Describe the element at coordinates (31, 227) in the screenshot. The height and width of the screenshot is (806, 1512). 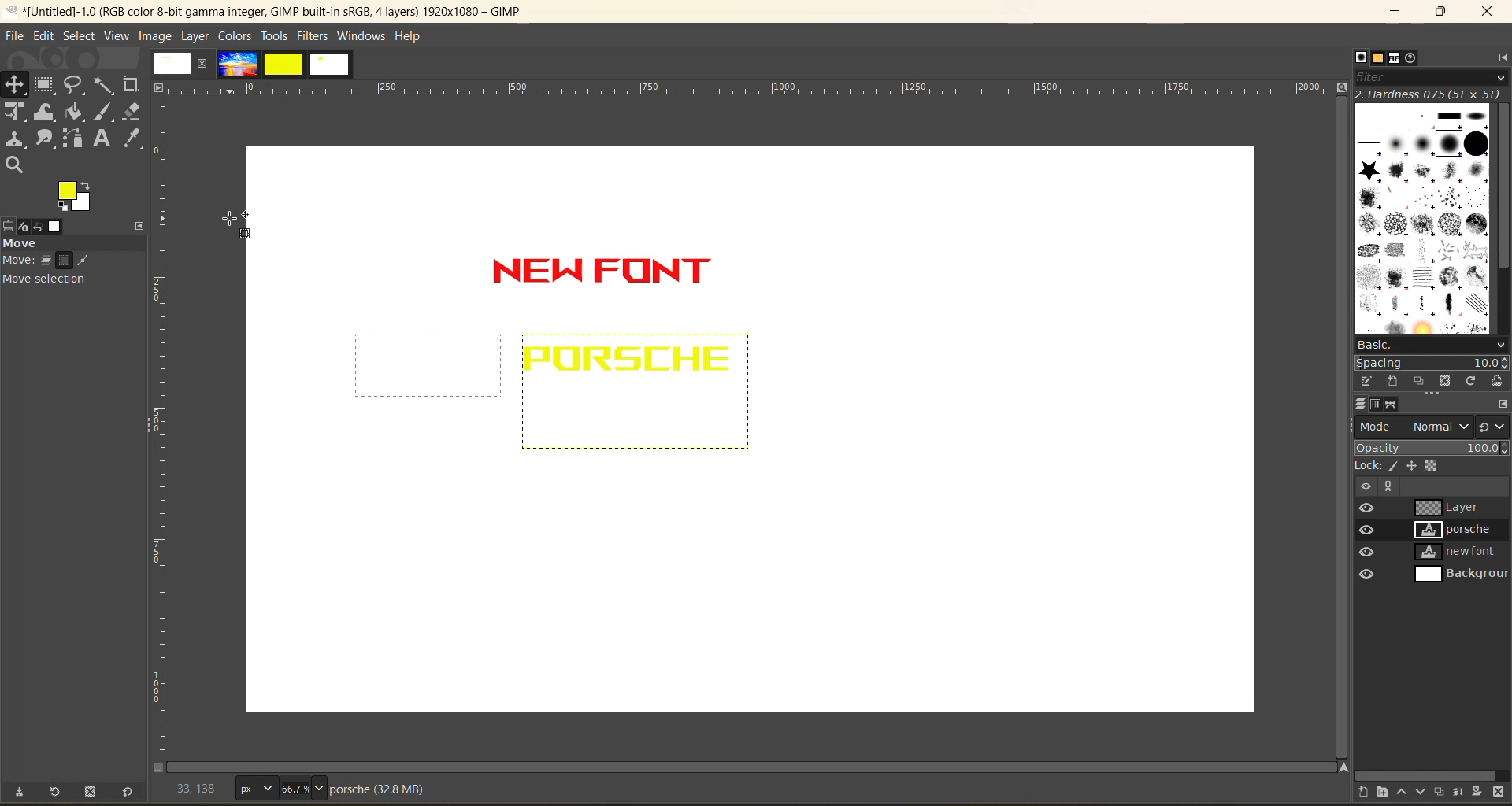
I see `device status redo` at that location.